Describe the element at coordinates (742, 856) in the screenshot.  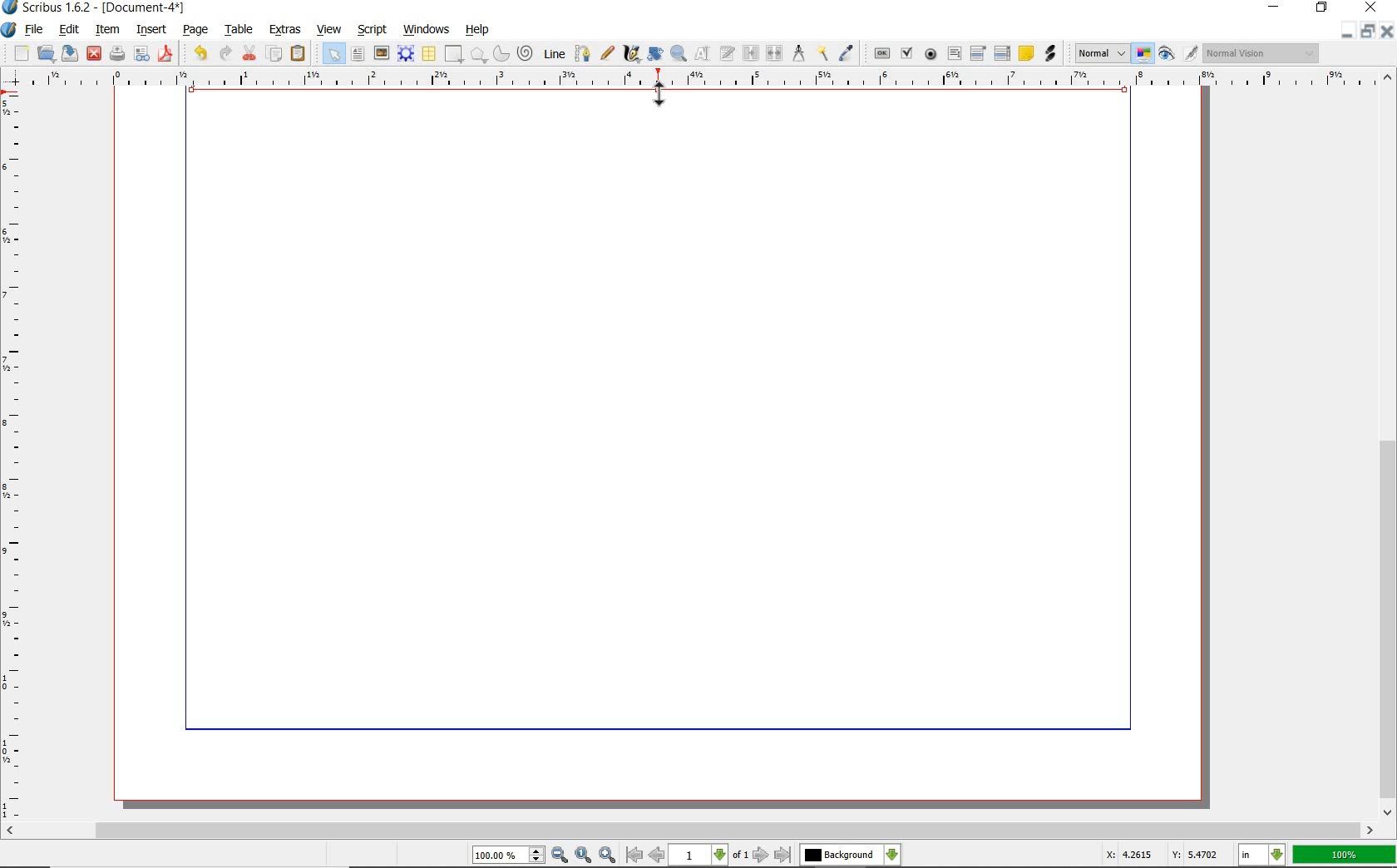
I see `of 1` at that location.